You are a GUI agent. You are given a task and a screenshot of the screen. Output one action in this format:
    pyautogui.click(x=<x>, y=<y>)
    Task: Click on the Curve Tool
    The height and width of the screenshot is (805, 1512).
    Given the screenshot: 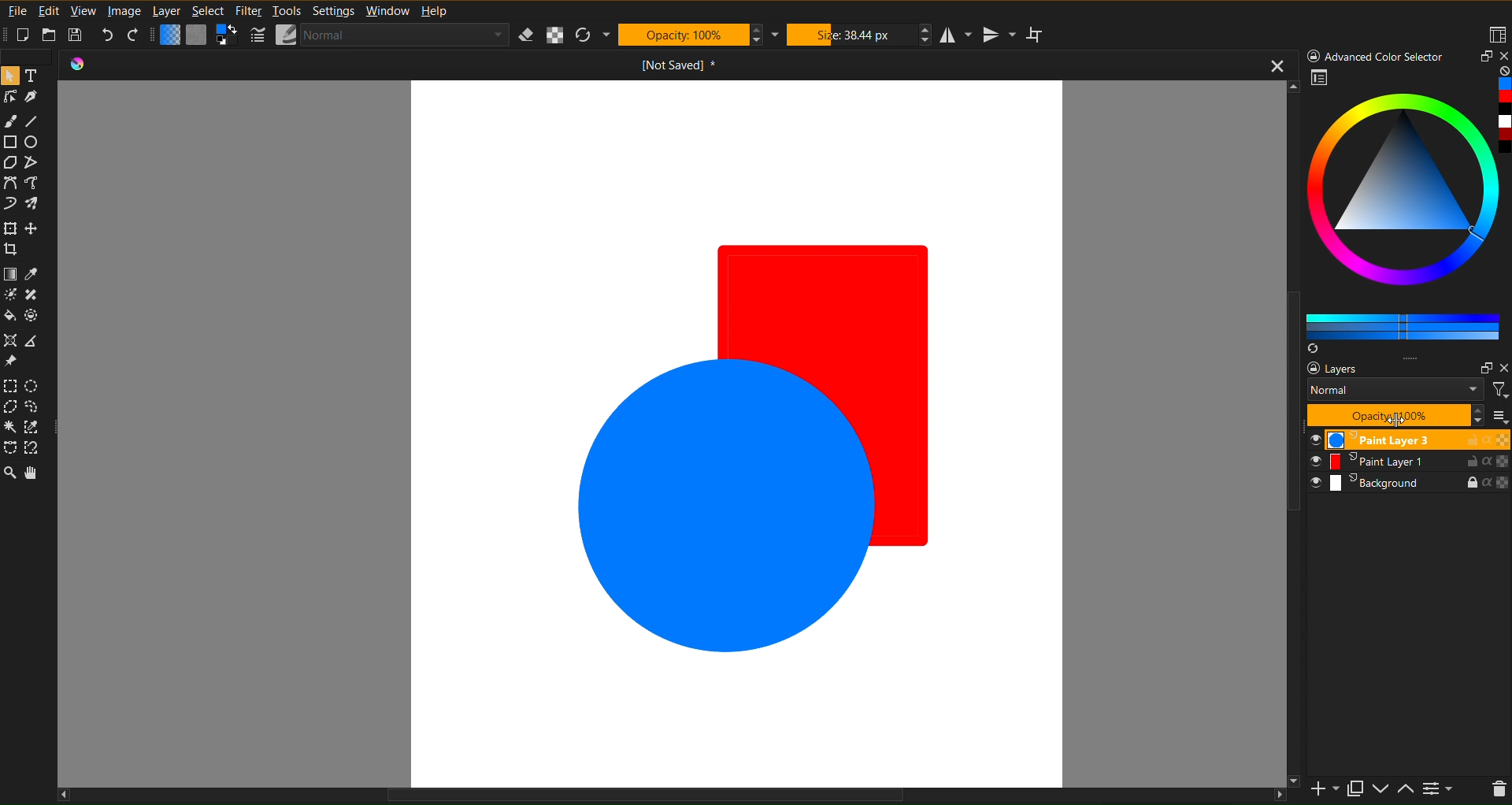 What is the action you would take?
    pyautogui.click(x=10, y=205)
    